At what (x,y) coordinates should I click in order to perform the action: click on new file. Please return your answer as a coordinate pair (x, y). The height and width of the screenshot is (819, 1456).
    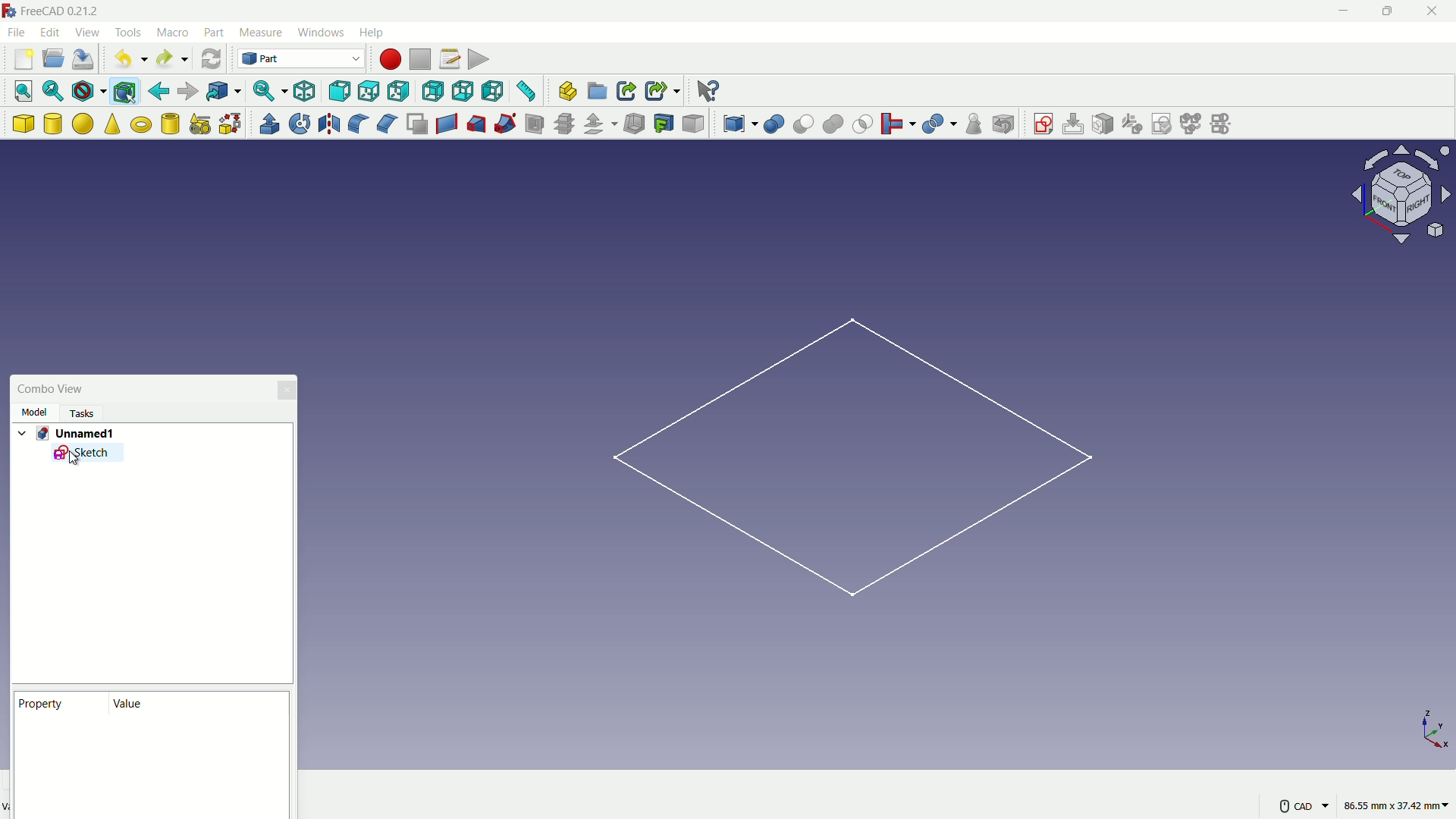
    Looking at the image, I should click on (23, 60).